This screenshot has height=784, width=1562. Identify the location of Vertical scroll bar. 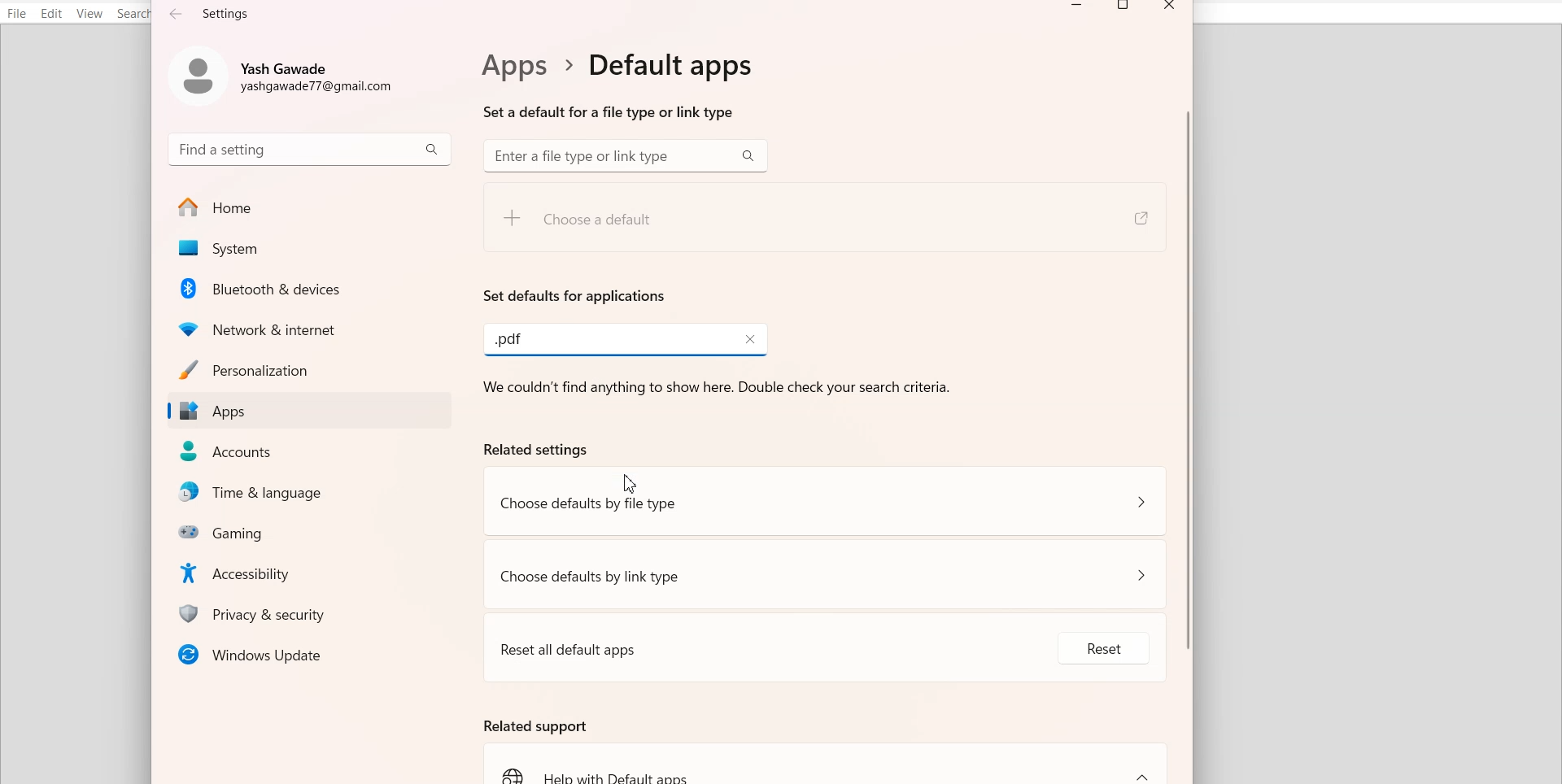
(1187, 403).